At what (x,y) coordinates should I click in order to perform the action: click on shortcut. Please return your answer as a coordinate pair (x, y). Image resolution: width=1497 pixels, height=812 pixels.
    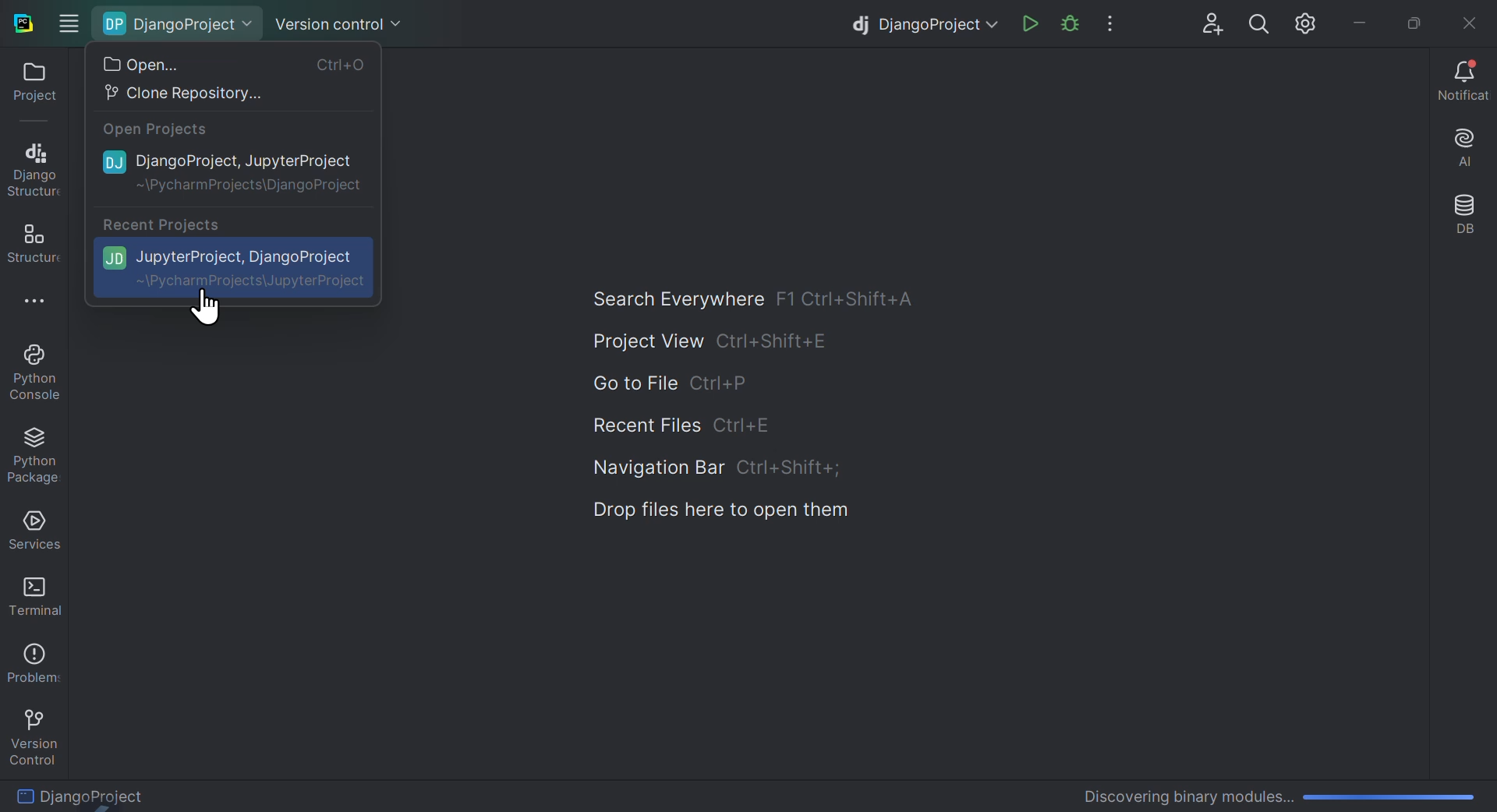
    Looking at the image, I should click on (787, 468).